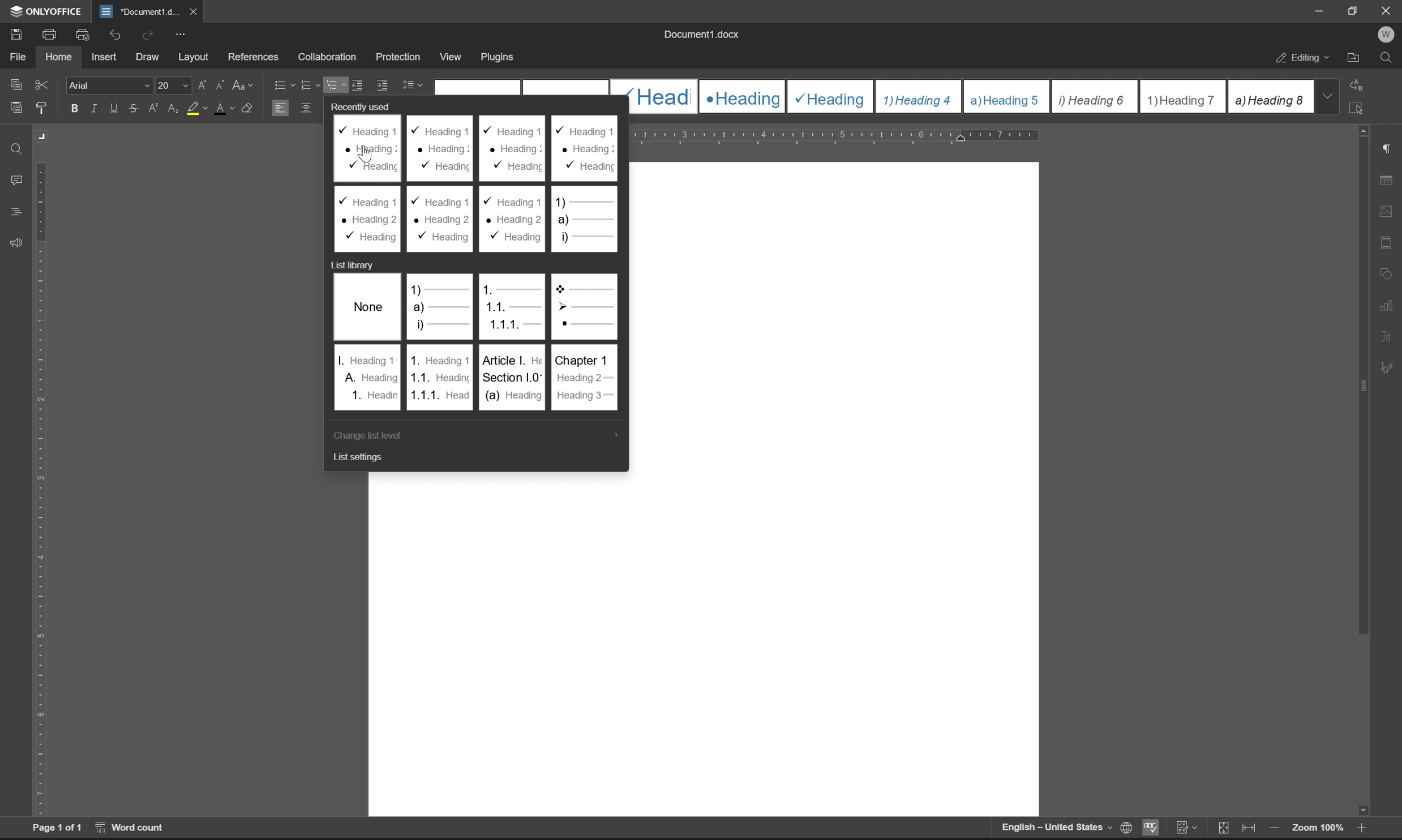 This screenshot has width=1402, height=840. What do you see at coordinates (366, 105) in the screenshot?
I see `recently used` at bounding box center [366, 105].